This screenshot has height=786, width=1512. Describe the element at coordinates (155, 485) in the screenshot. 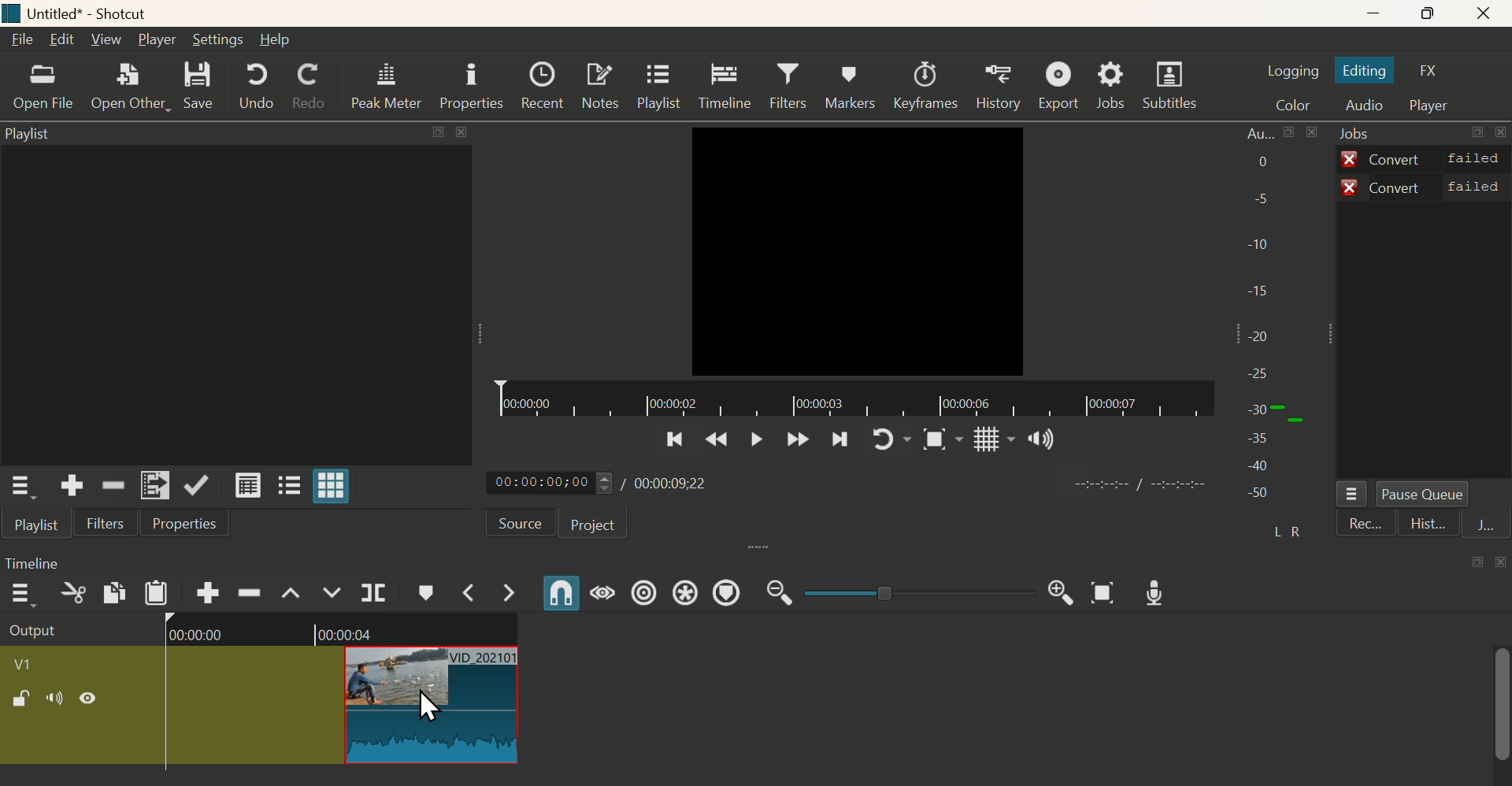

I see `Add to Playlist` at that location.